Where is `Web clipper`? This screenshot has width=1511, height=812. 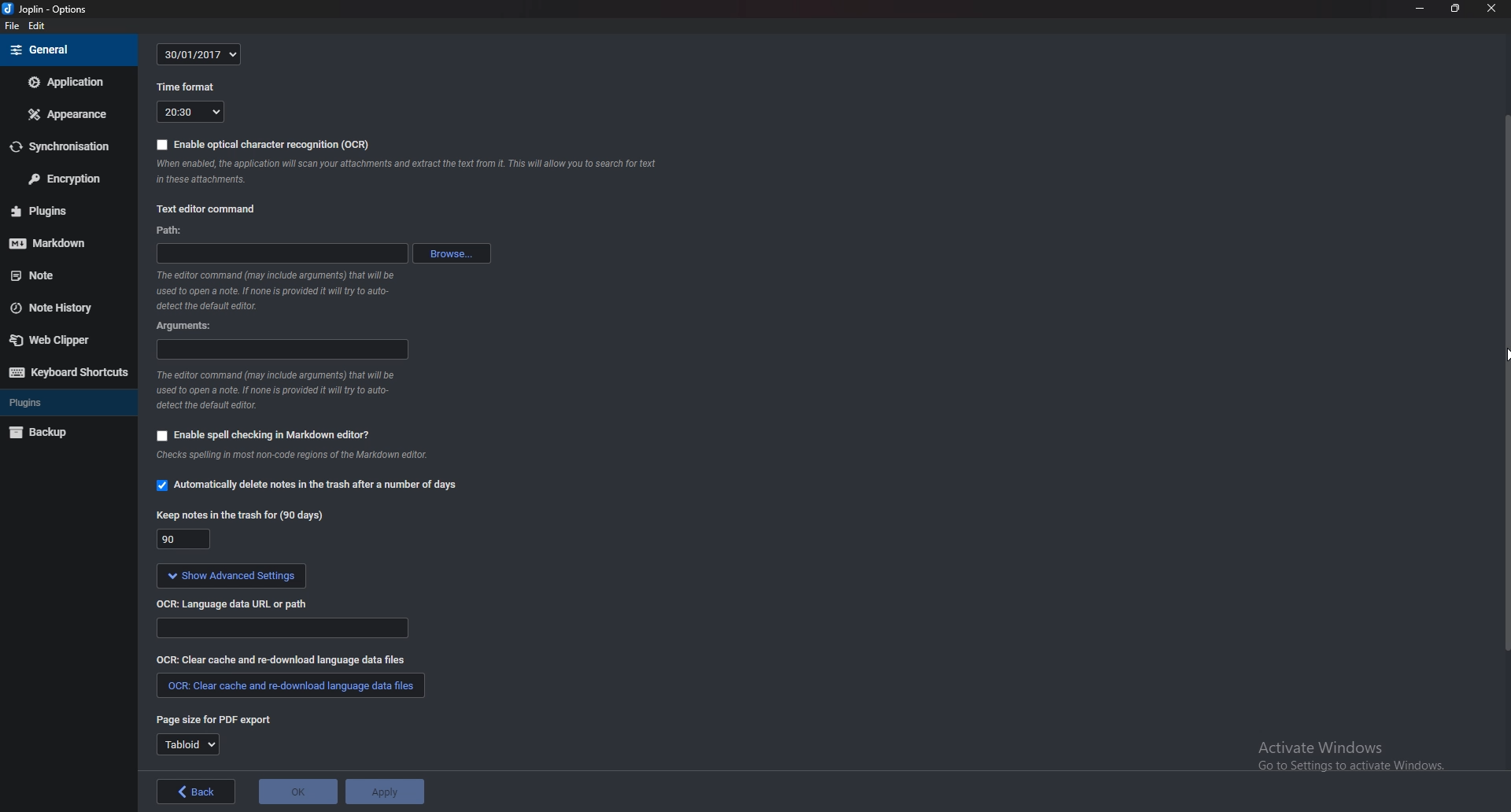 Web clipper is located at coordinates (65, 338).